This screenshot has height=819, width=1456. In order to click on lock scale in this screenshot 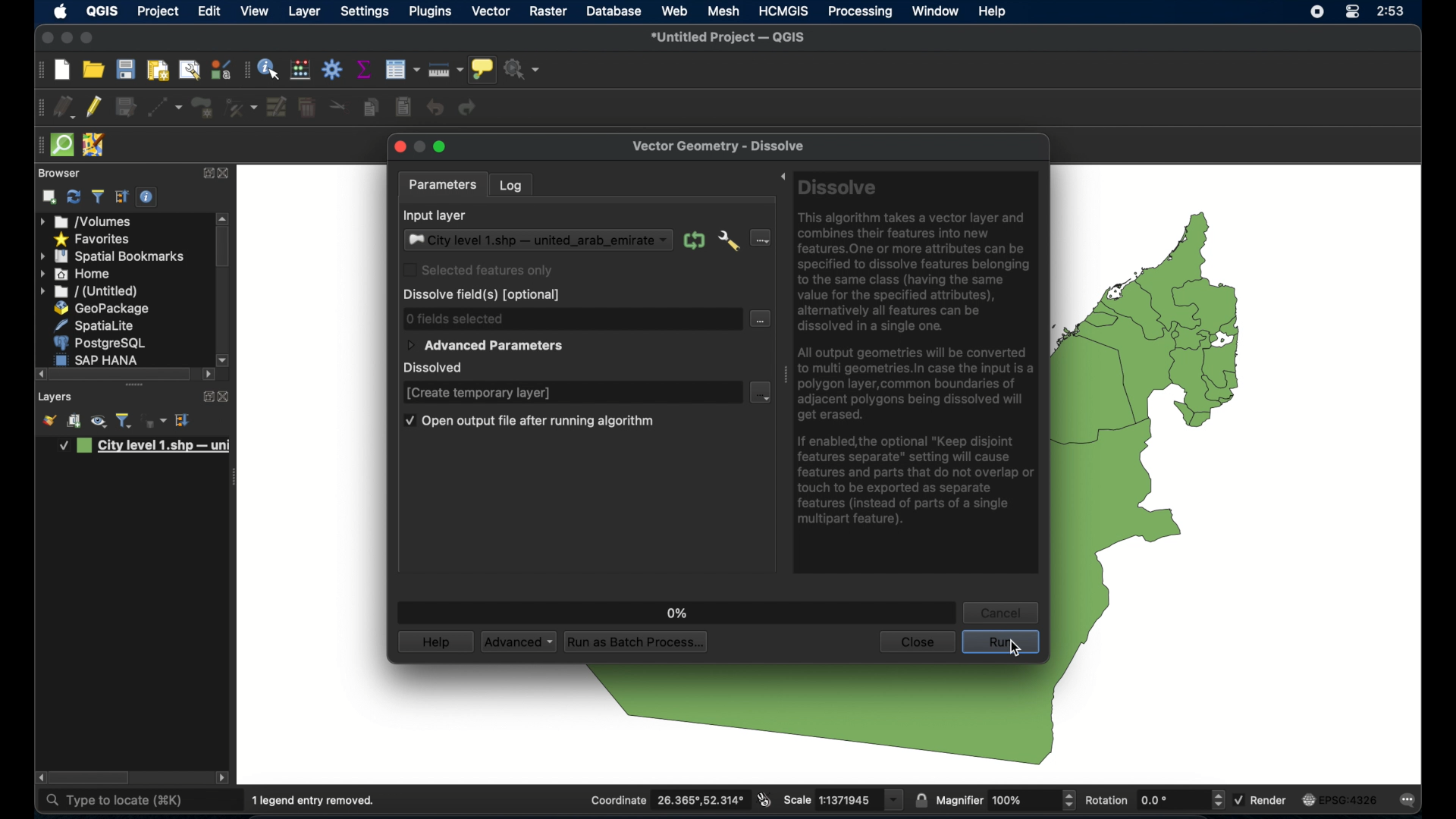, I will do `click(921, 799)`.